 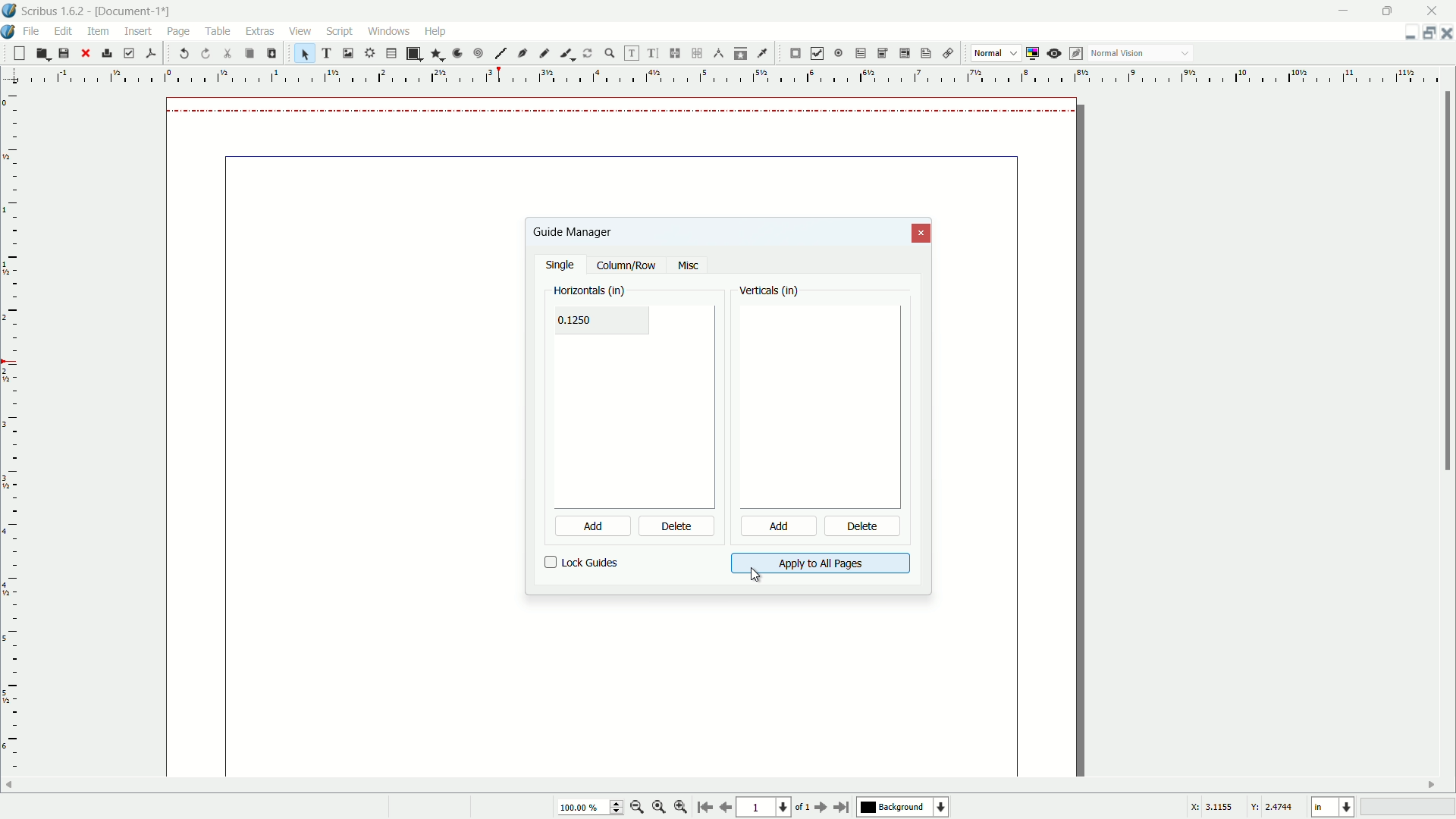 What do you see at coordinates (654, 54) in the screenshot?
I see `edit text with story editor` at bounding box center [654, 54].